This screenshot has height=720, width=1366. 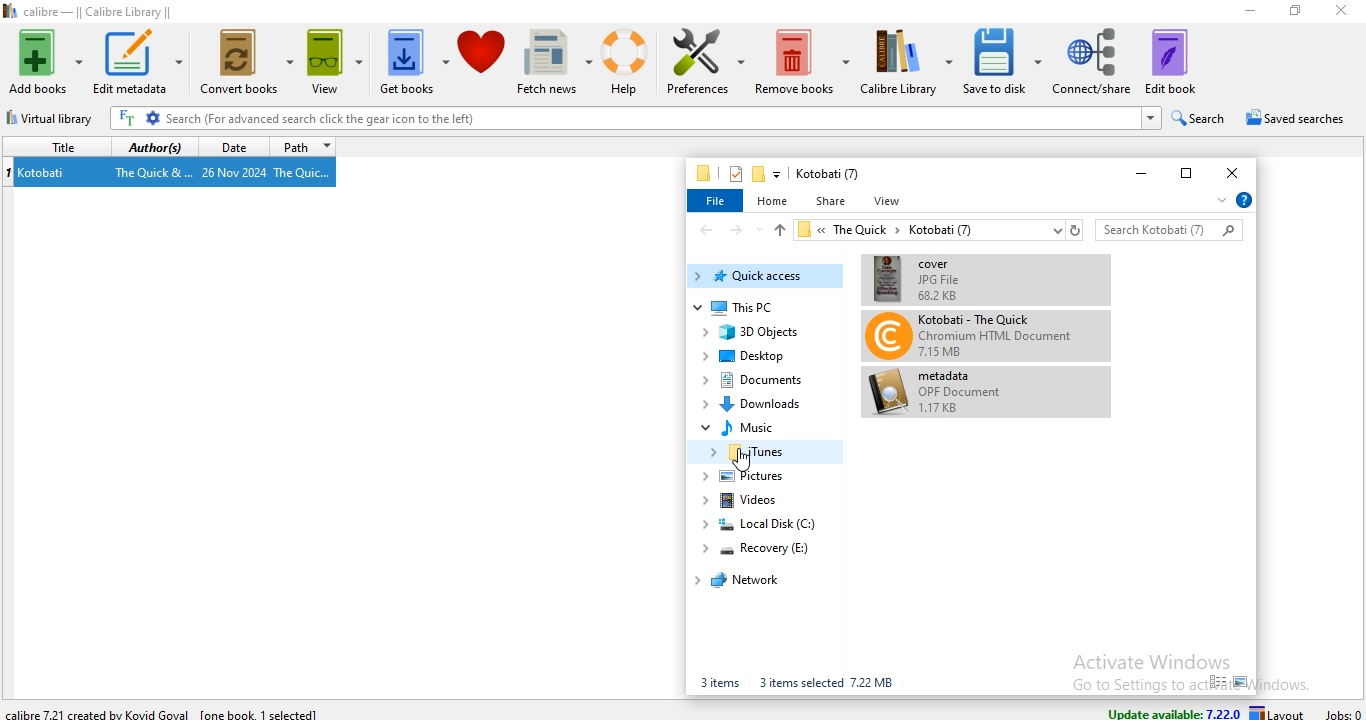 I want to click on Kotobati (7), so click(x=827, y=174).